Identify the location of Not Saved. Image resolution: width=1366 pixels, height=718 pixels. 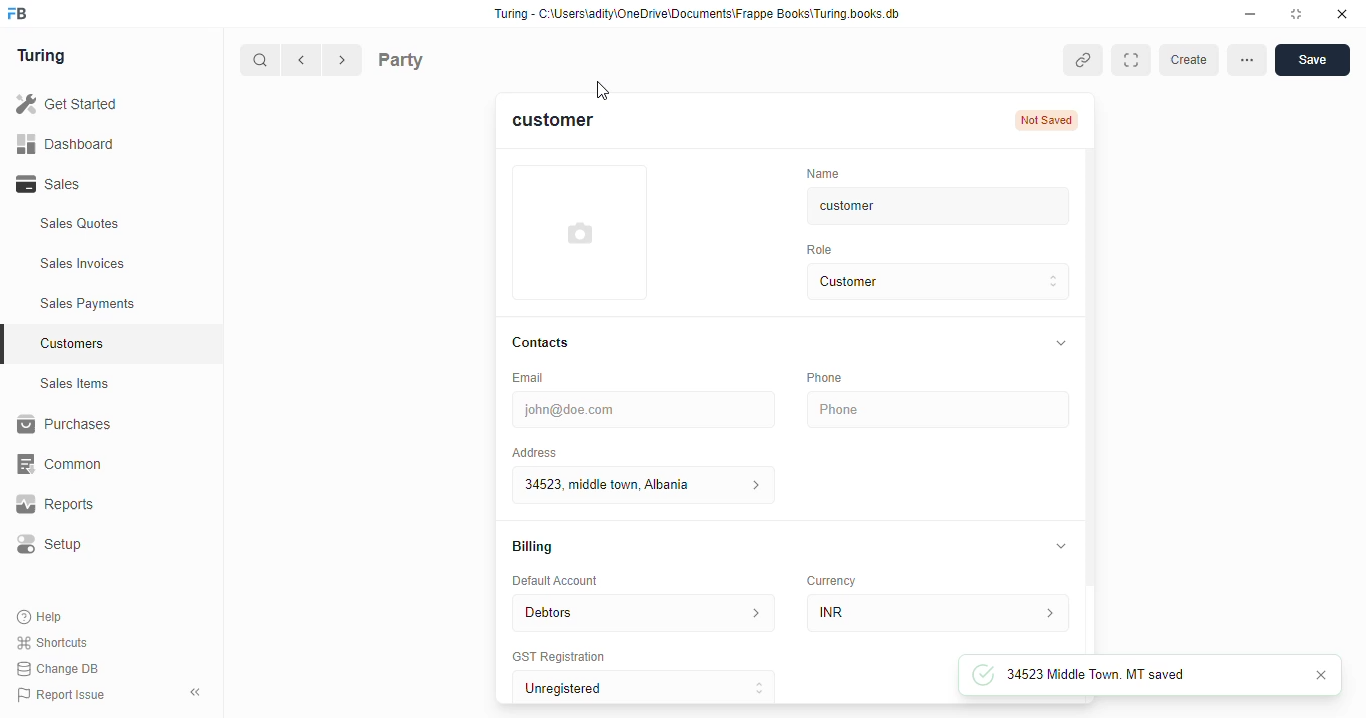
(1049, 121).